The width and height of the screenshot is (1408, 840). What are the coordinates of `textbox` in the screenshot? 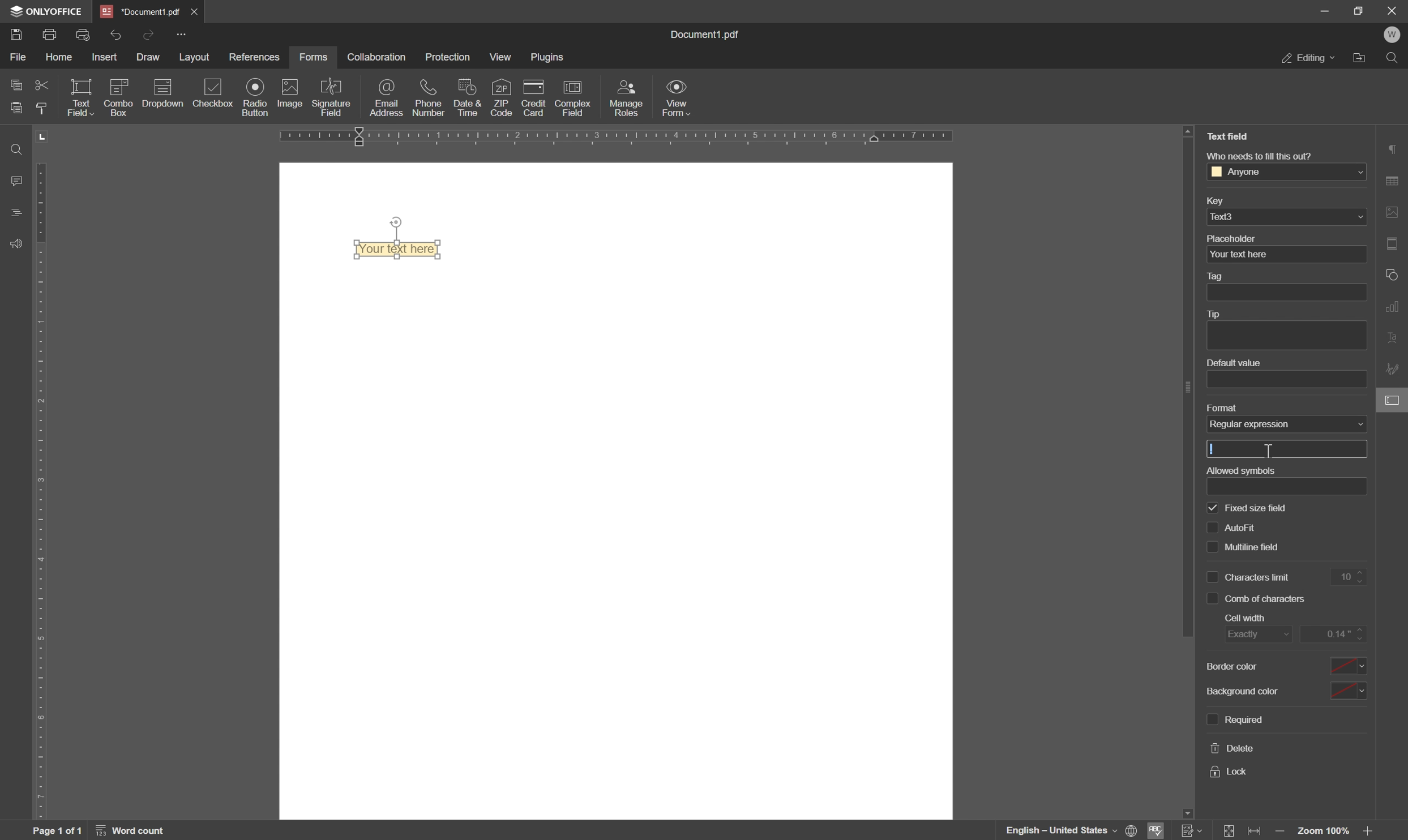 It's located at (1288, 449).